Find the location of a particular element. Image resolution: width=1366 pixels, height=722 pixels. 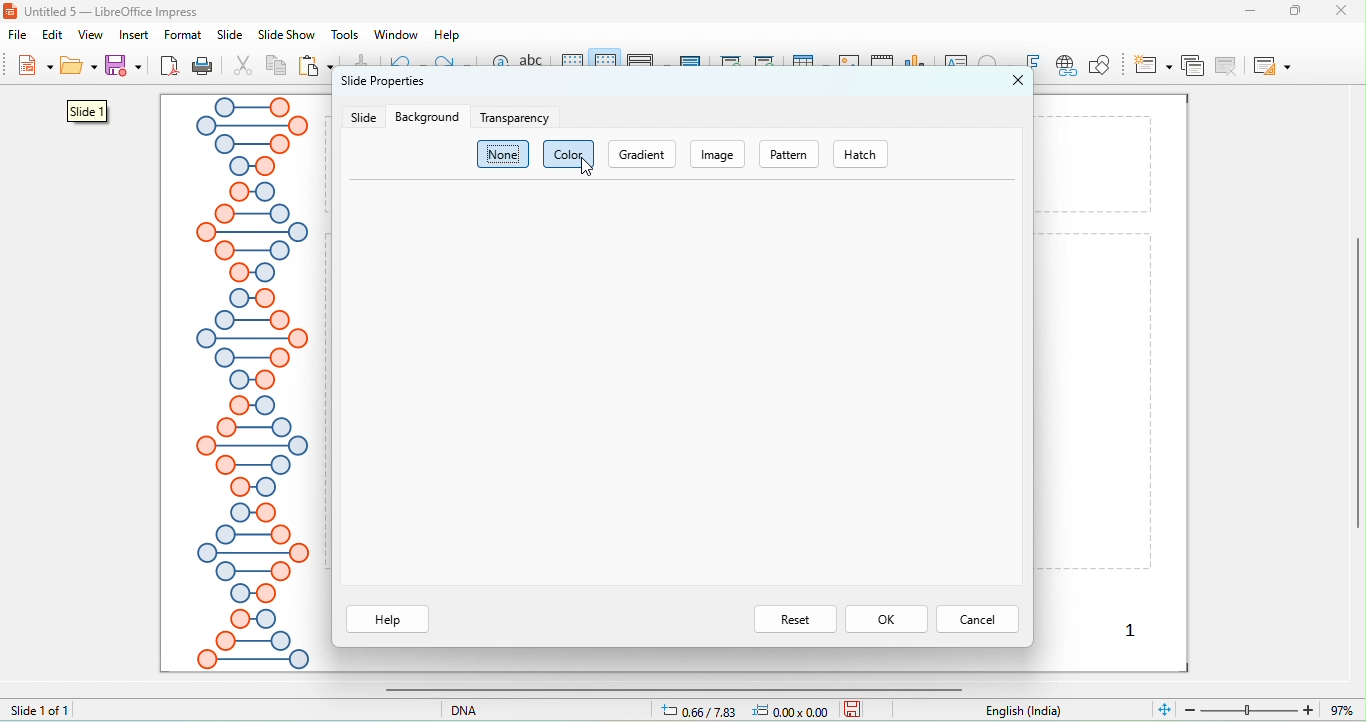

text box is located at coordinates (958, 65).